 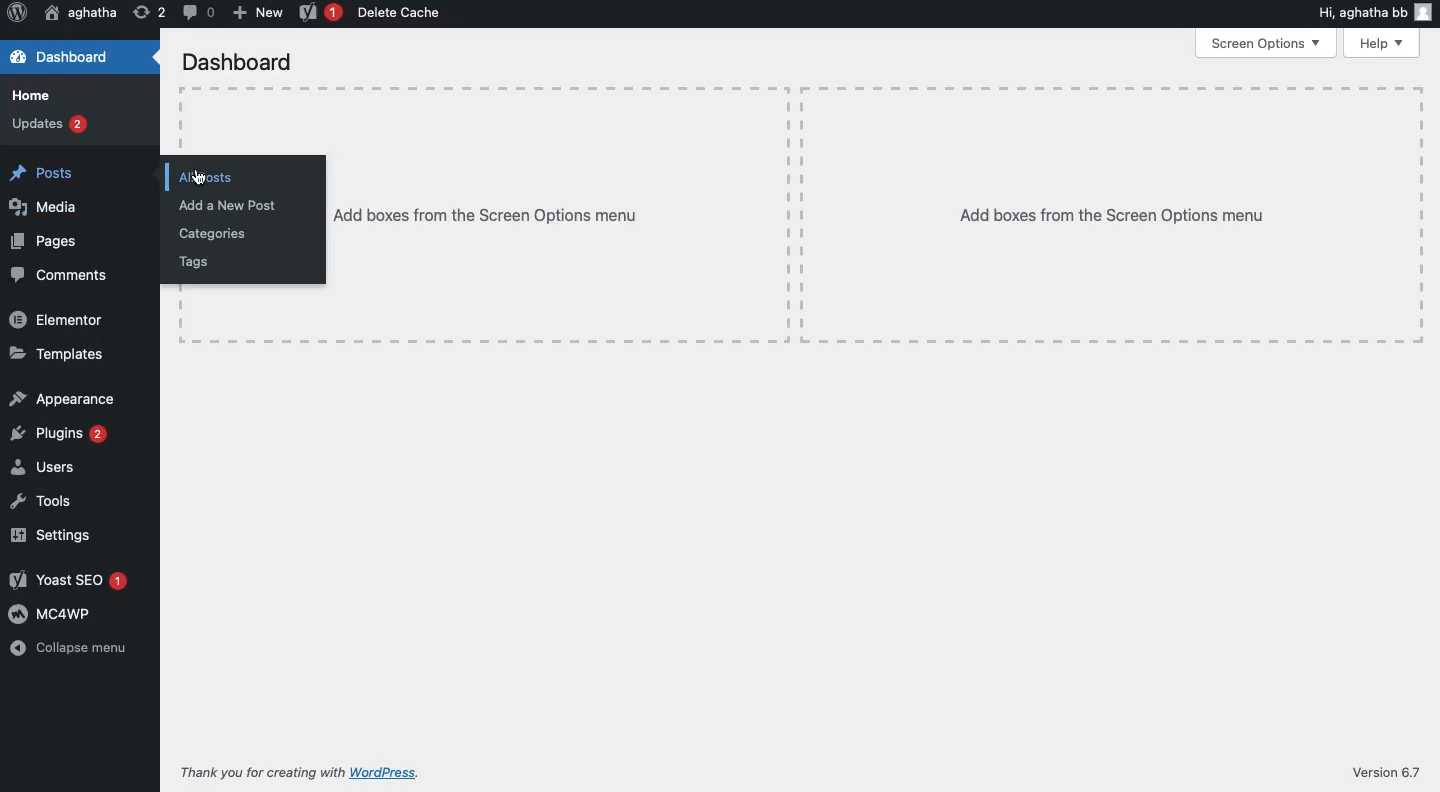 What do you see at coordinates (59, 320) in the screenshot?
I see `Elementor` at bounding box center [59, 320].